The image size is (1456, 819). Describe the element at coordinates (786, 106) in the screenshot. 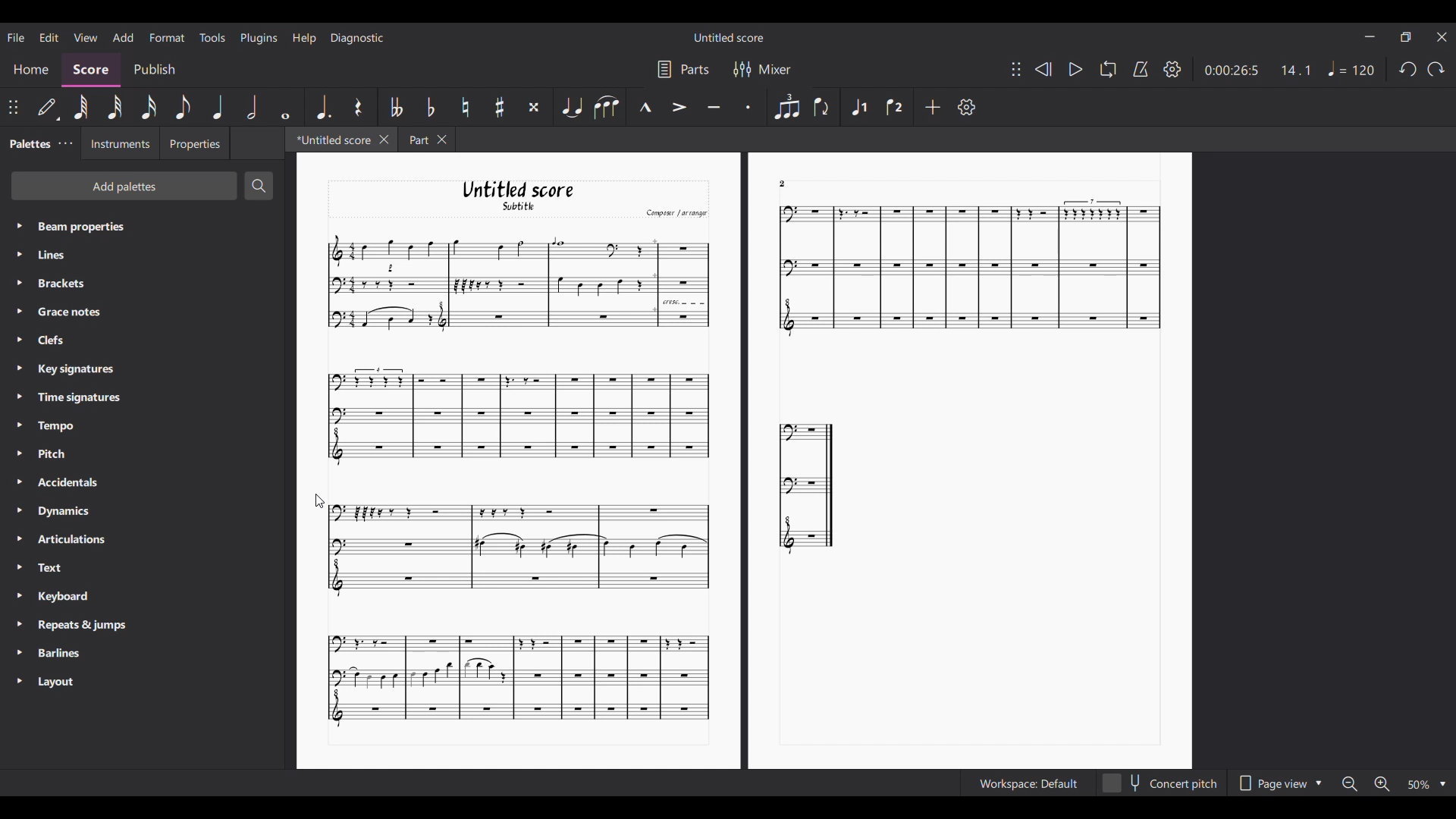

I see `Tuplet` at that location.